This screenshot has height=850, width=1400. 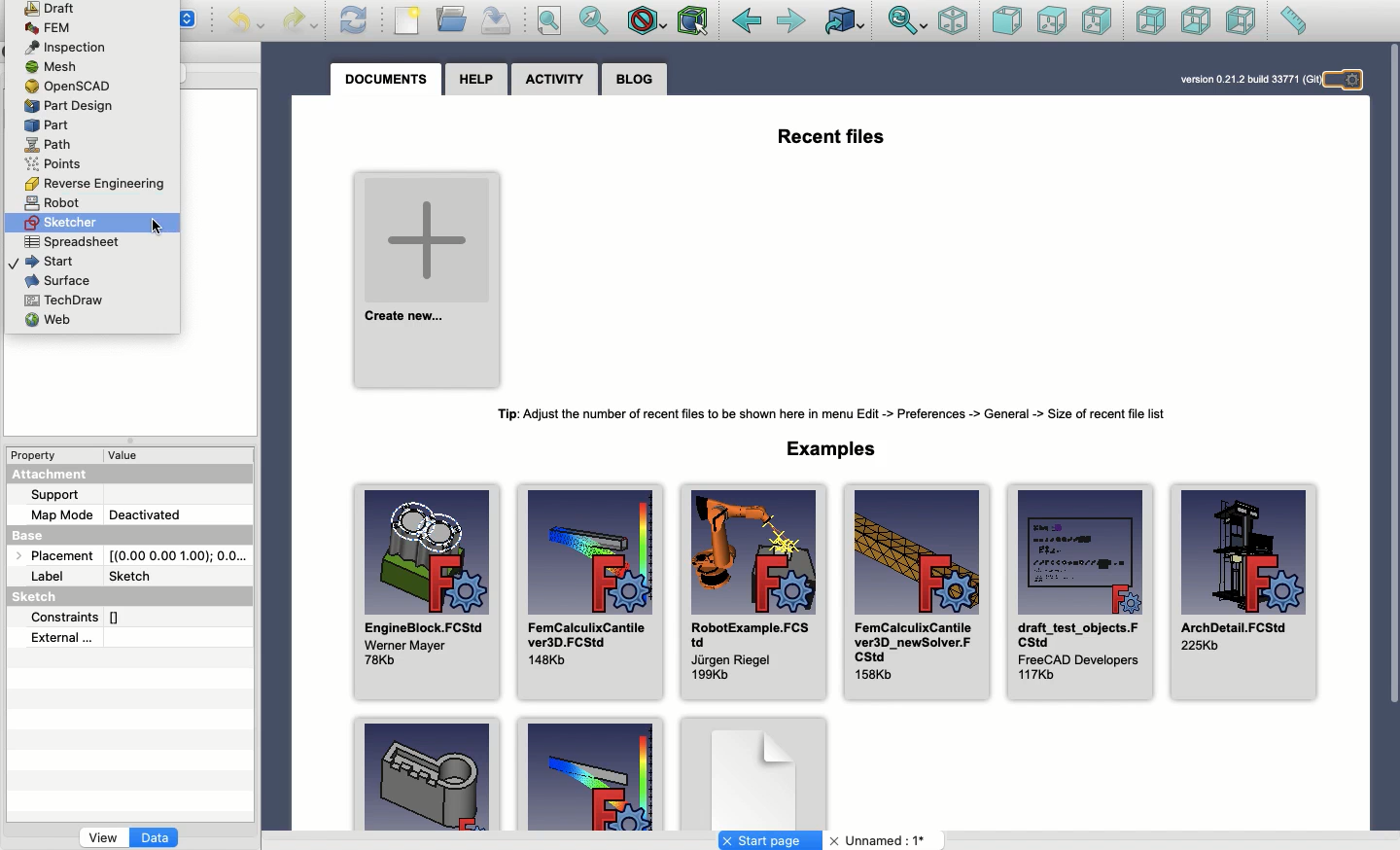 What do you see at coordinates (753, 769) in the screenshot?
I see `Document` at bounding box center [753, 769].